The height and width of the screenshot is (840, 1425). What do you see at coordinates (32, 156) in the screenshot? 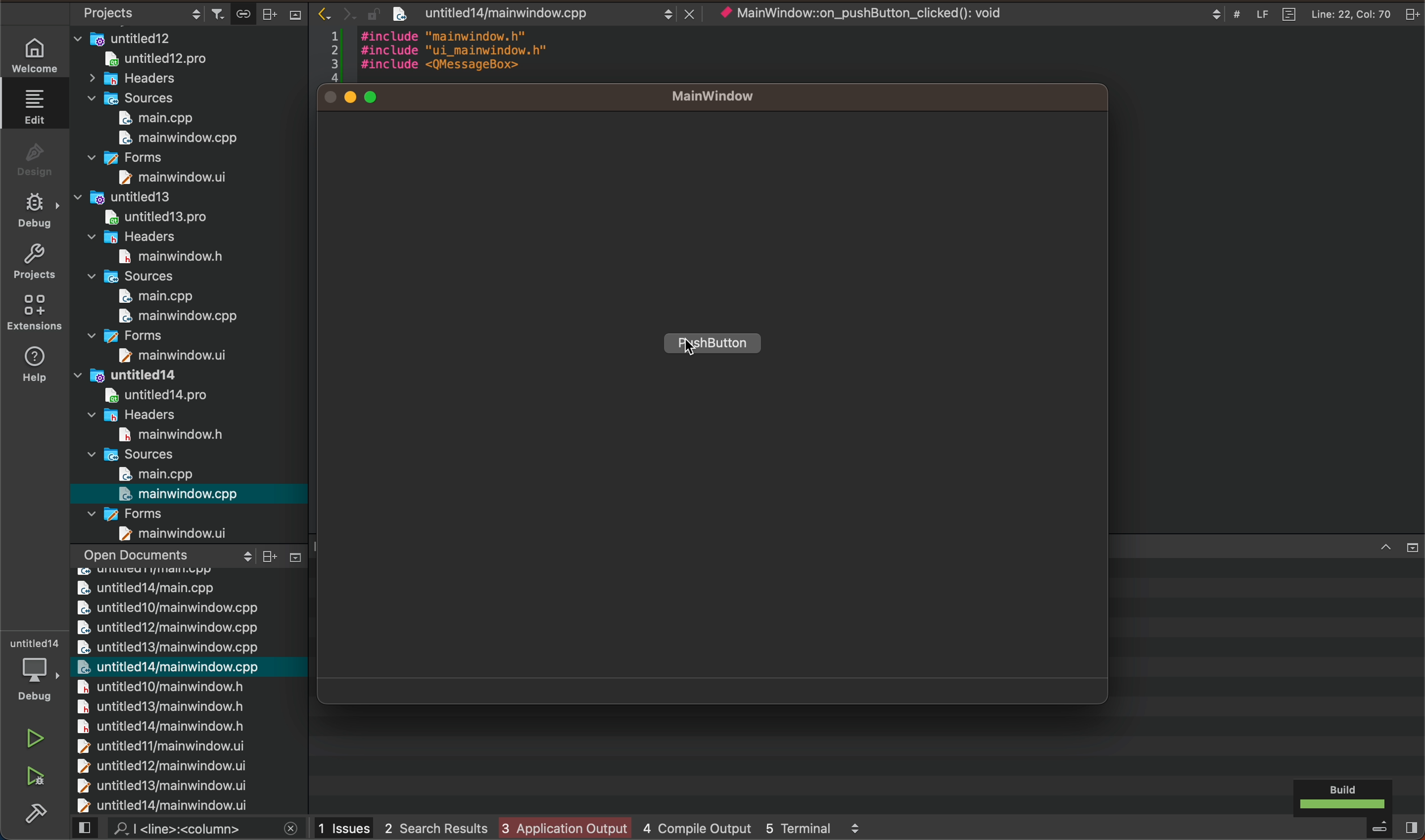
I see `DESIGN` at bounding box center [32, 156].